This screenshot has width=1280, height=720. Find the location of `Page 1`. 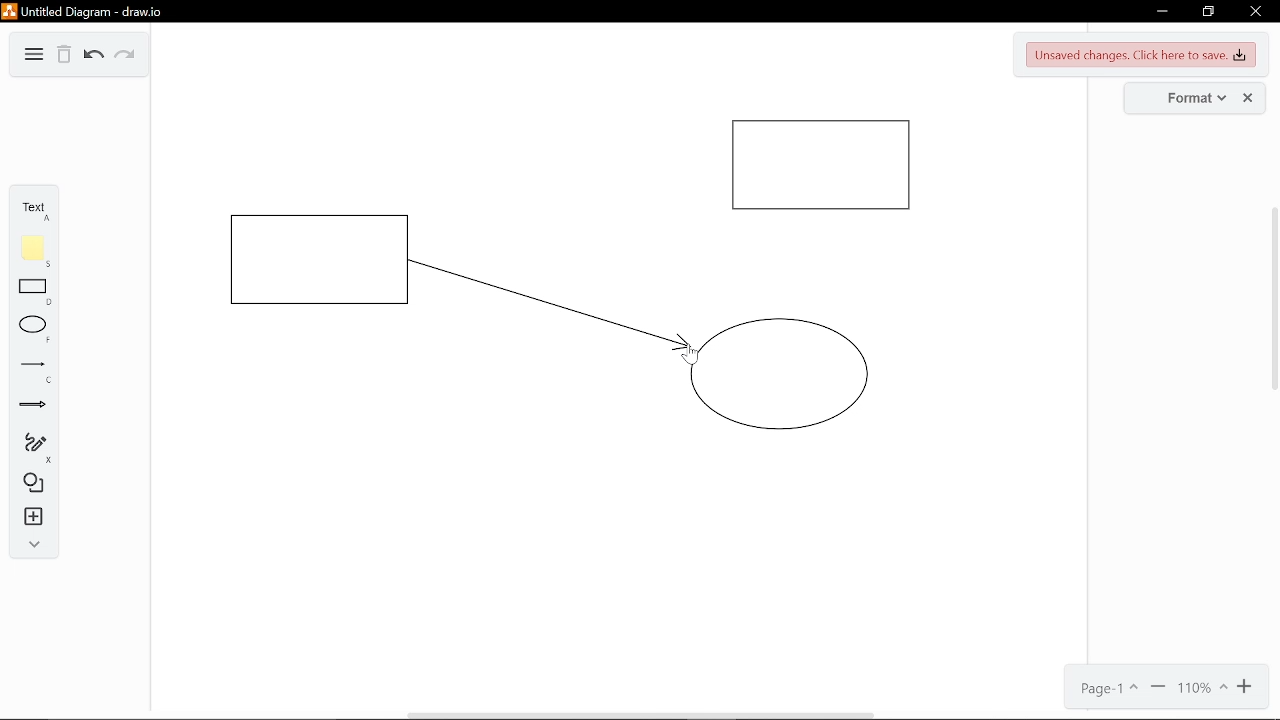

Page 1 is located at coordinates (1106, 689).